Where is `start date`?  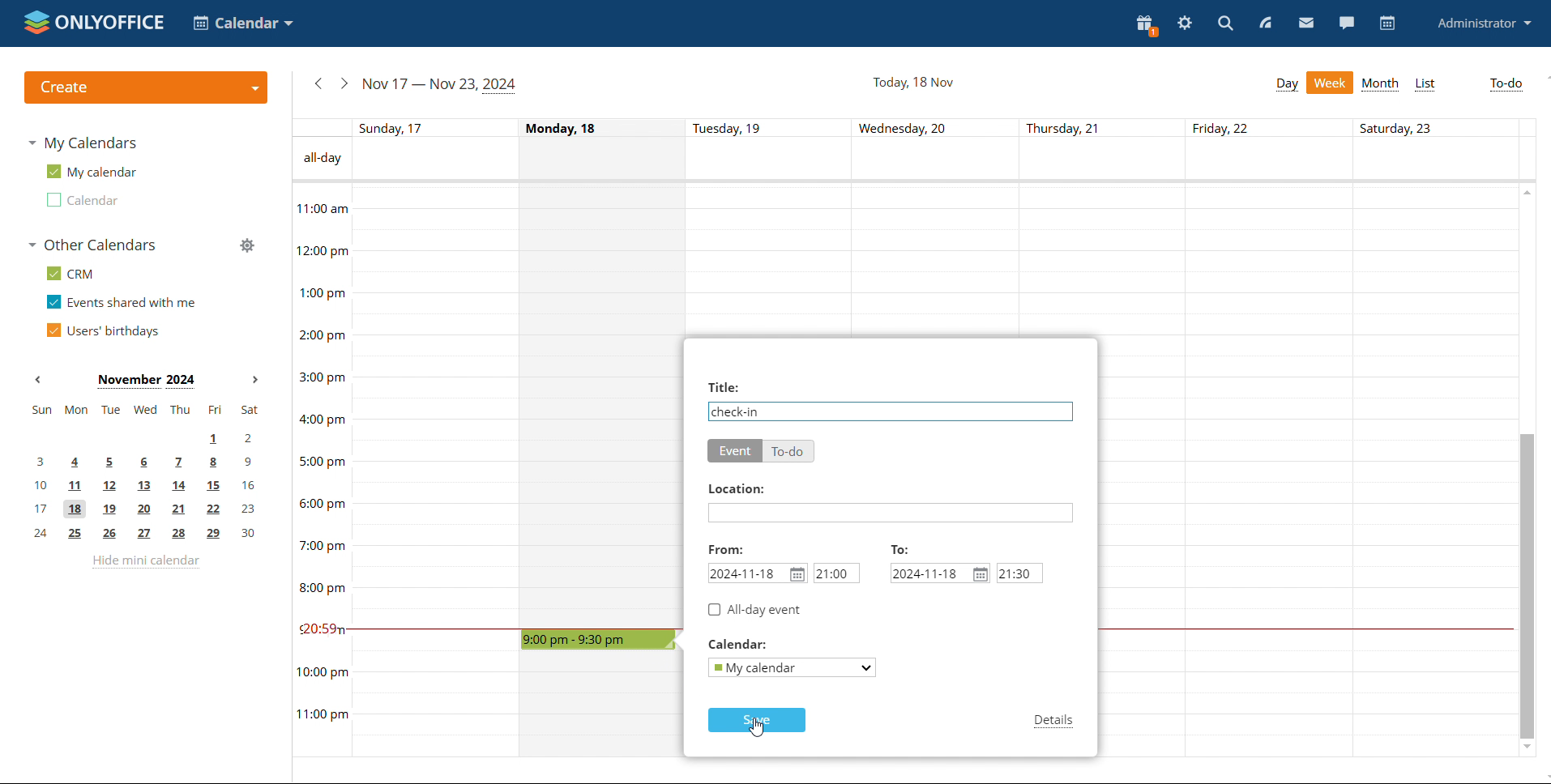 start date is located at coordinates (759, 573).